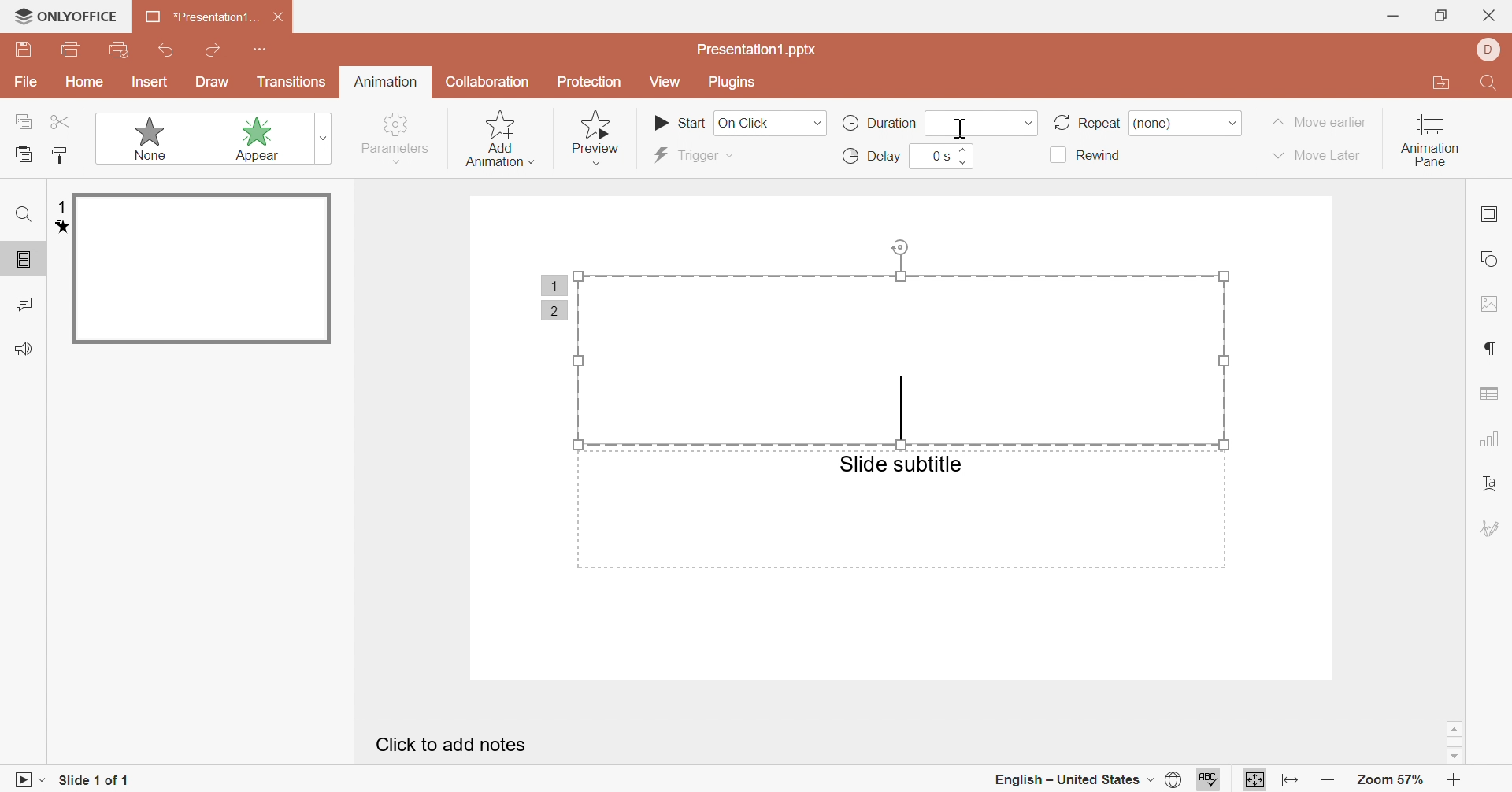 Image resolution: width=1512 pixels, height=792 pixels. I want to click on english - united states, so click(1072, 781).